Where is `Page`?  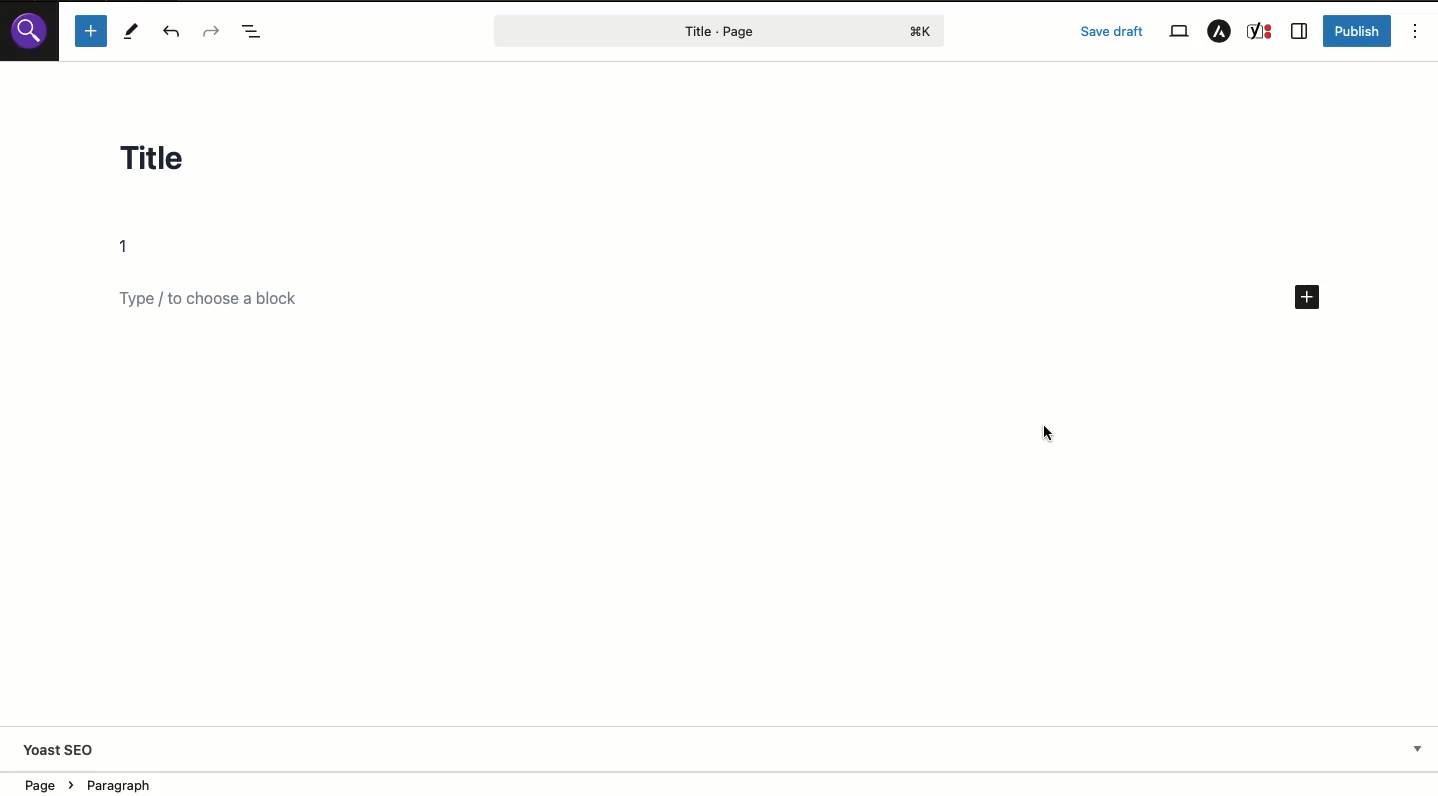 Page is located at coordinates (678, 31).